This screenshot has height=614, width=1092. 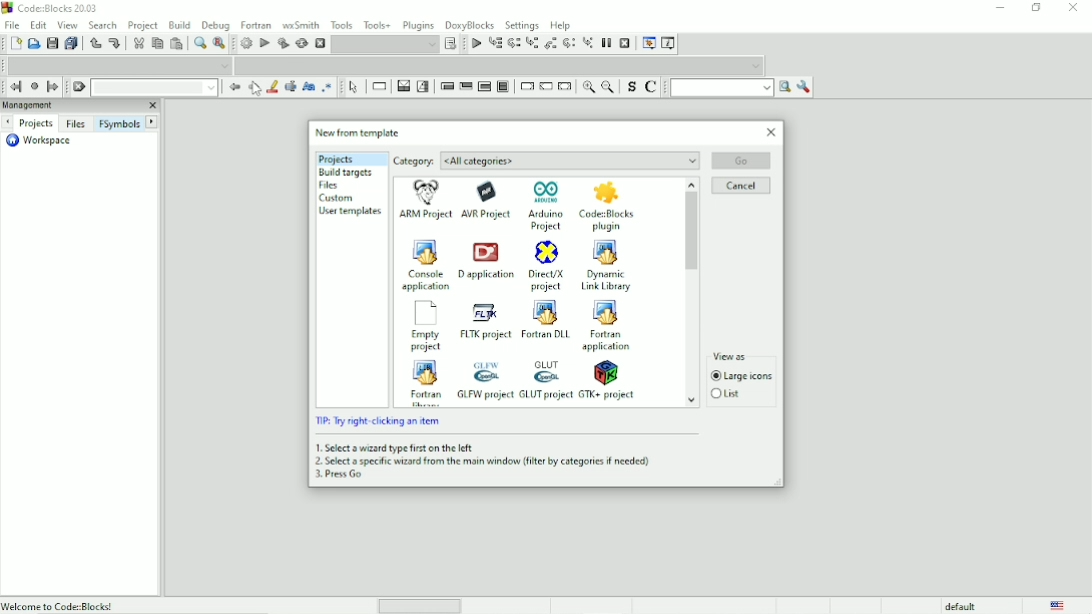 What do you see at coordinates (199, 44) in the screenshot?
I see `Find` at bounding box center [199, 44].